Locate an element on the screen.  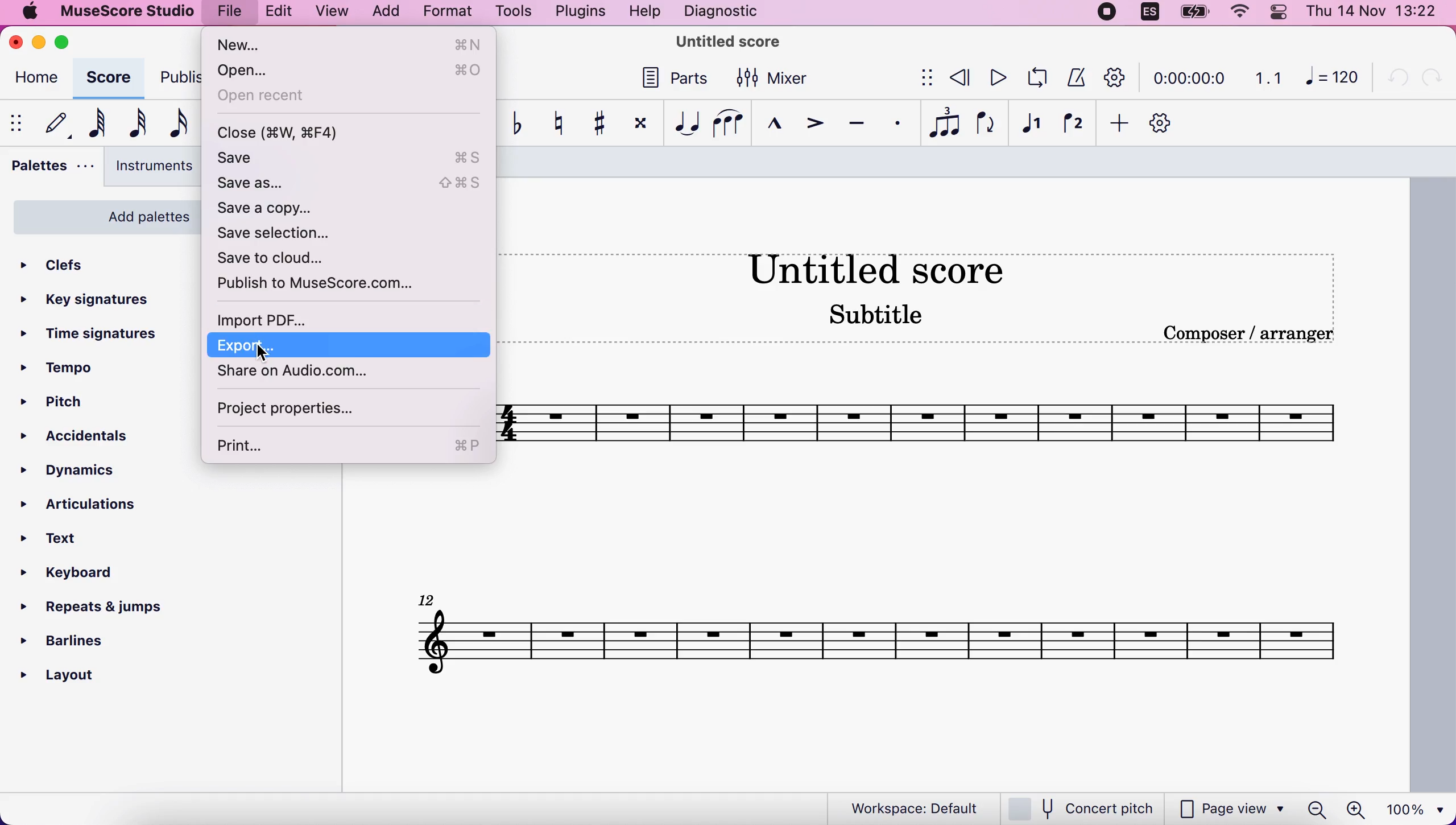
accent is located at coordinates (811, 126).